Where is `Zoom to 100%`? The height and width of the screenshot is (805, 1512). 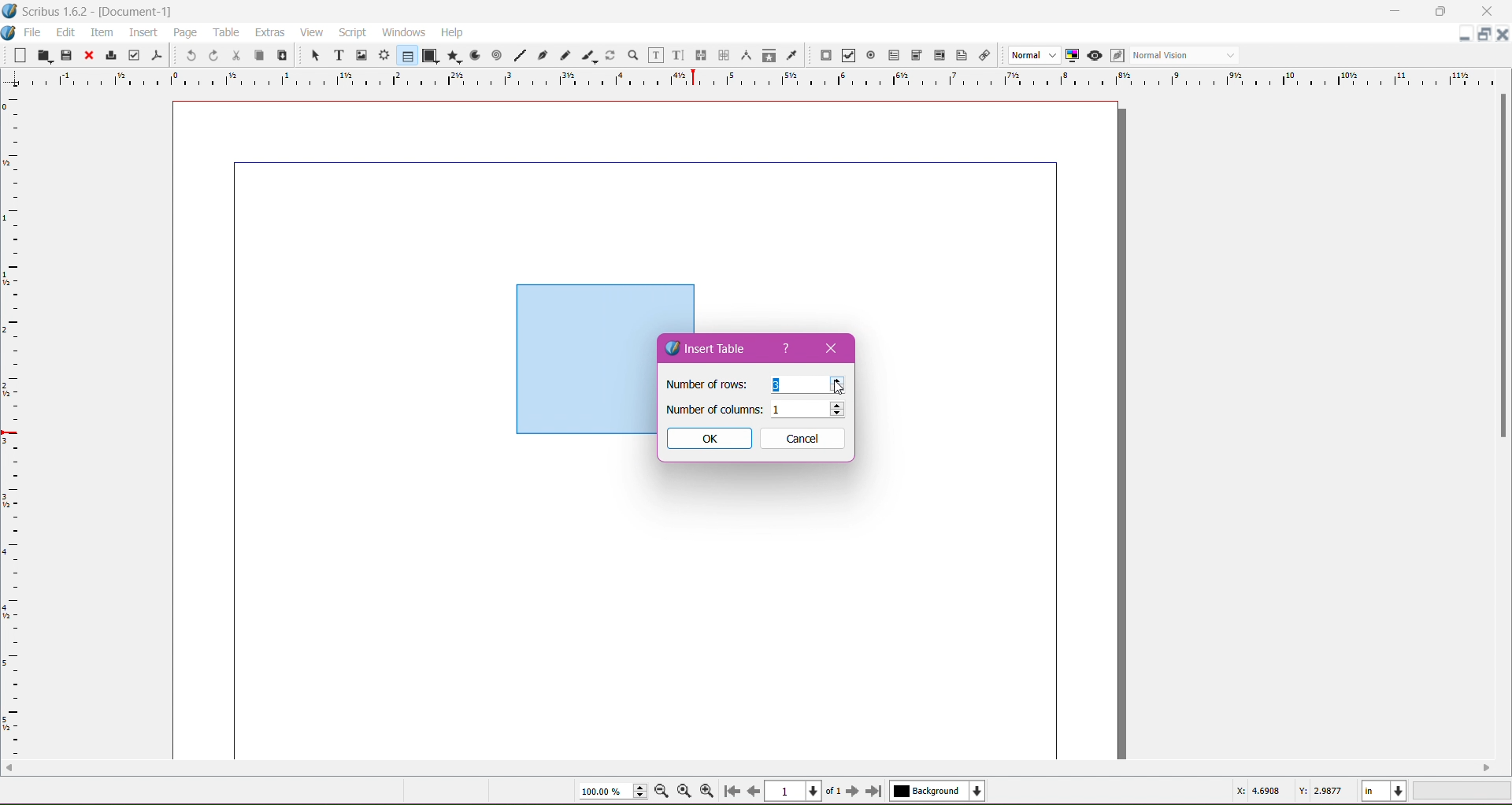 Zoom to 100% is located at coordinates (686, 792).